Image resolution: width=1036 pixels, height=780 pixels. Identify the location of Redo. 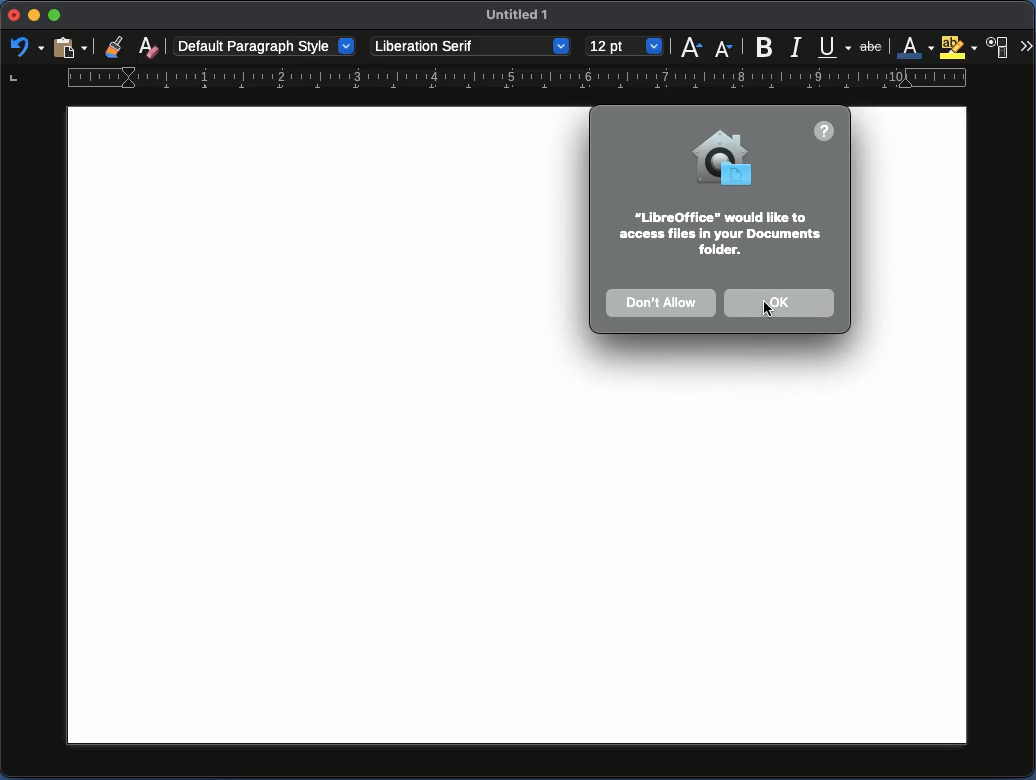
(23, 49).